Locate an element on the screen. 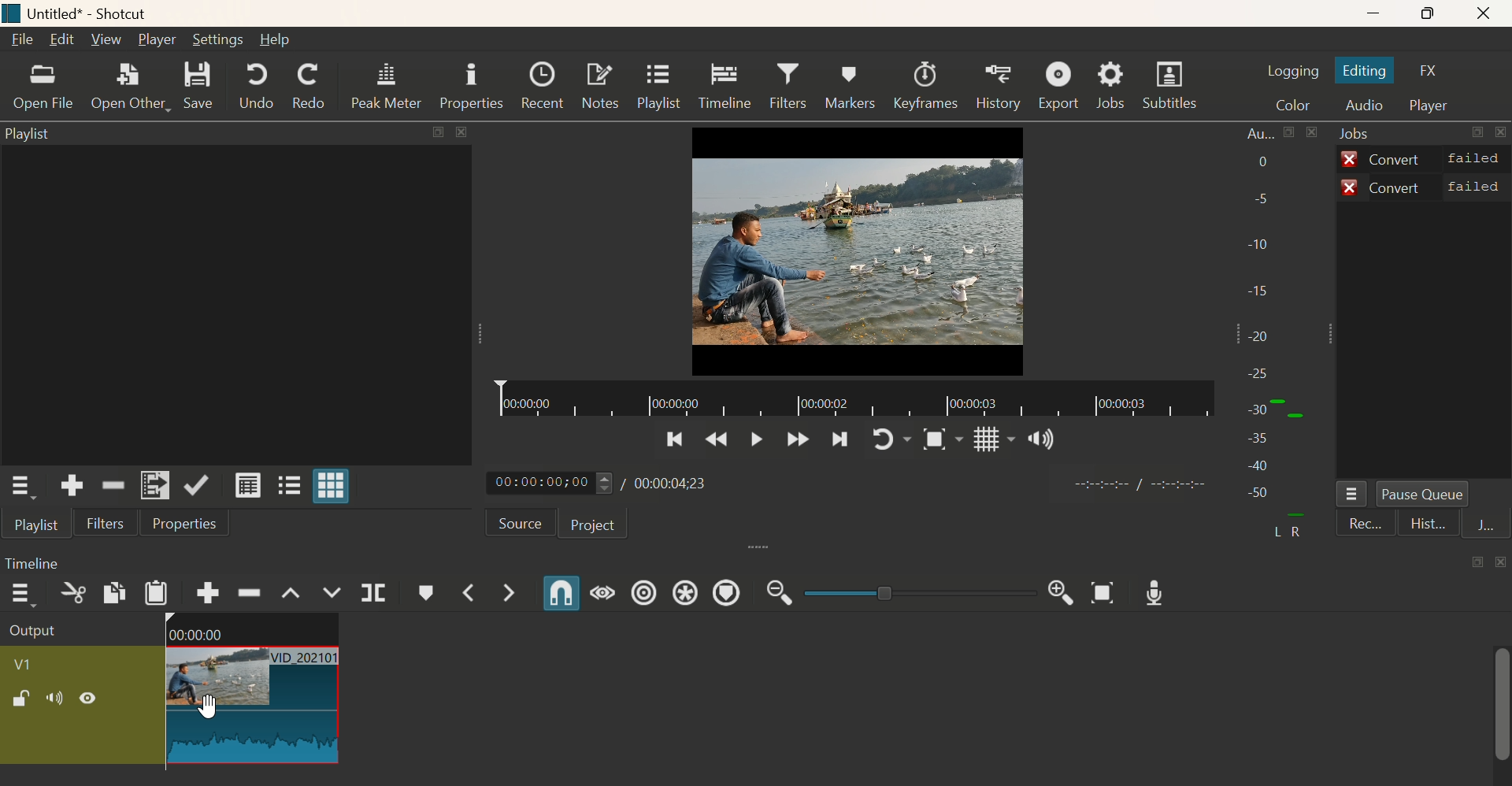 The width and height of the screenshot is (1512, 786). View as grid is located at coordinates (336, 485).